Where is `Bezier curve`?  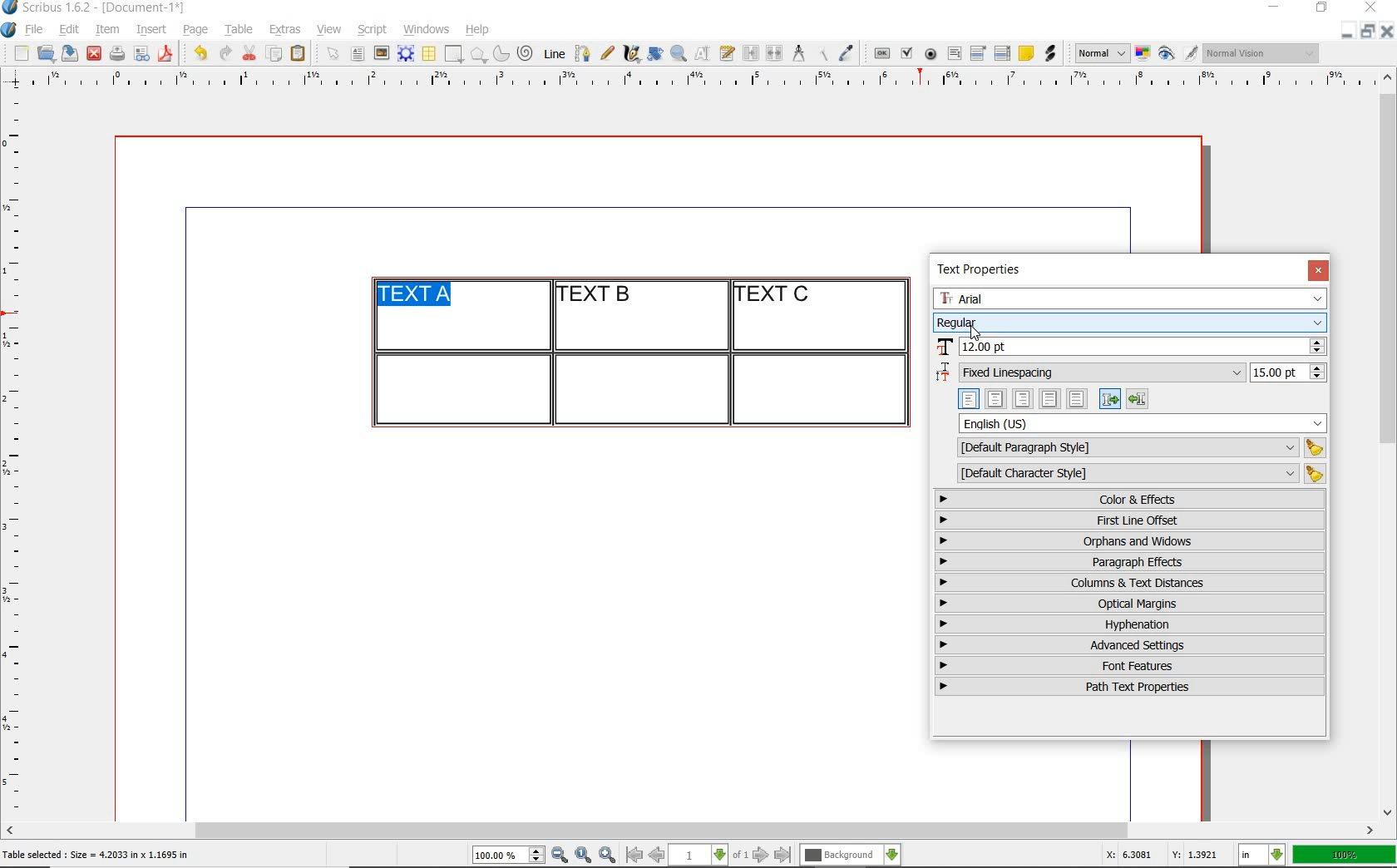
Bezier curve is located at coordinates (581, 53).